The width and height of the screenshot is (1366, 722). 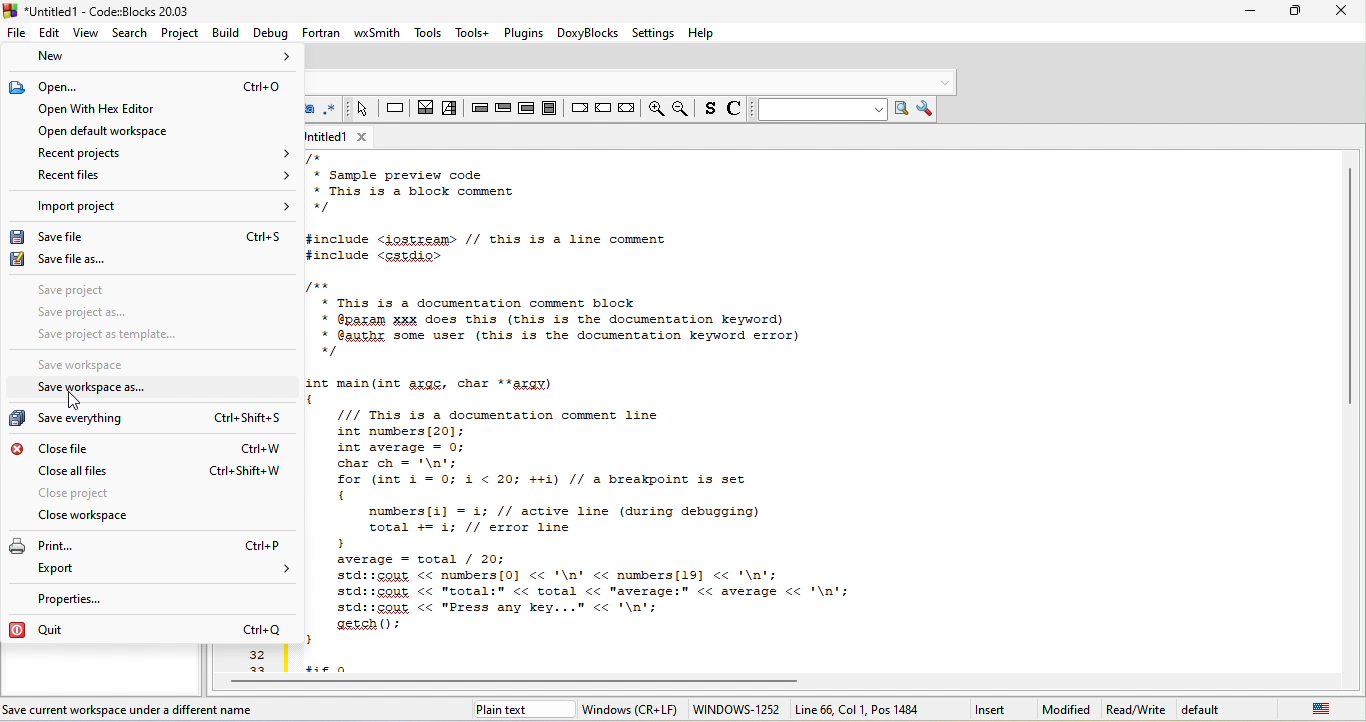 What do you see at coordinates (96, 600) in the screenshot?
I see `properties` at bounding box center [96, 600].